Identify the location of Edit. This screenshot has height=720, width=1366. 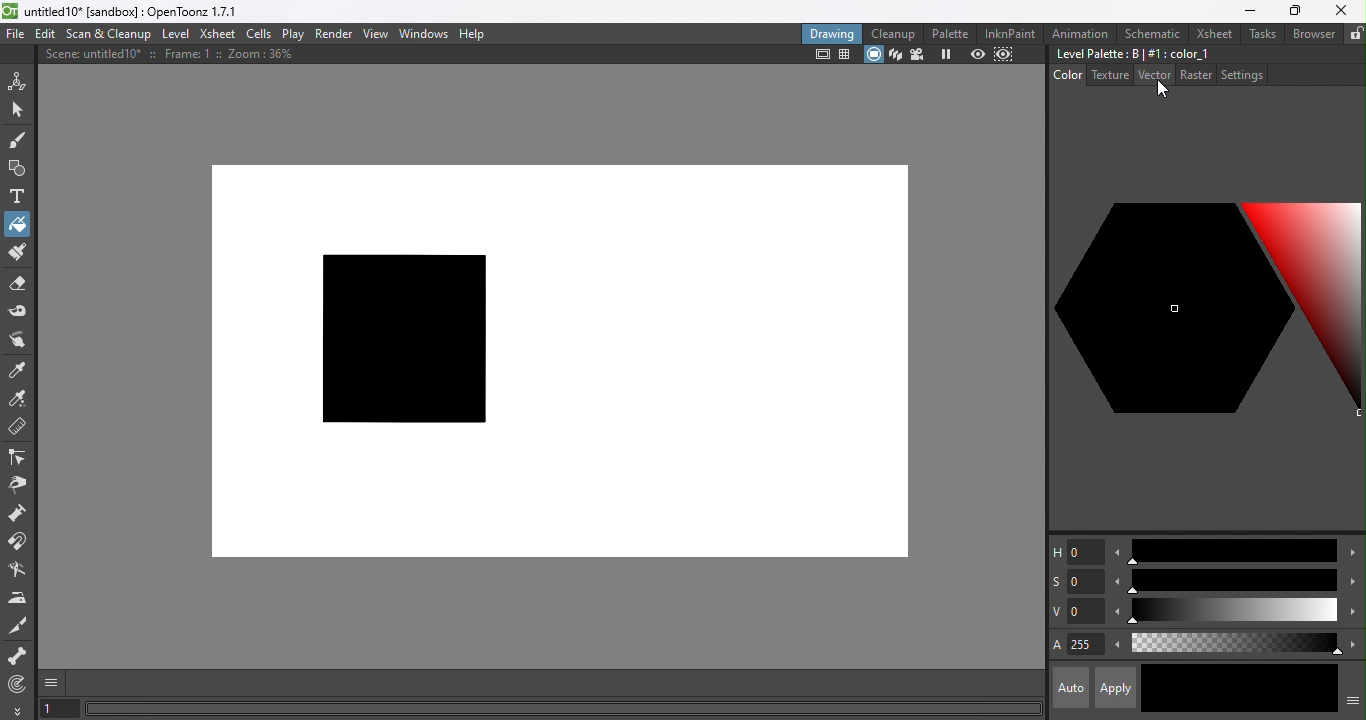
(43, 35).